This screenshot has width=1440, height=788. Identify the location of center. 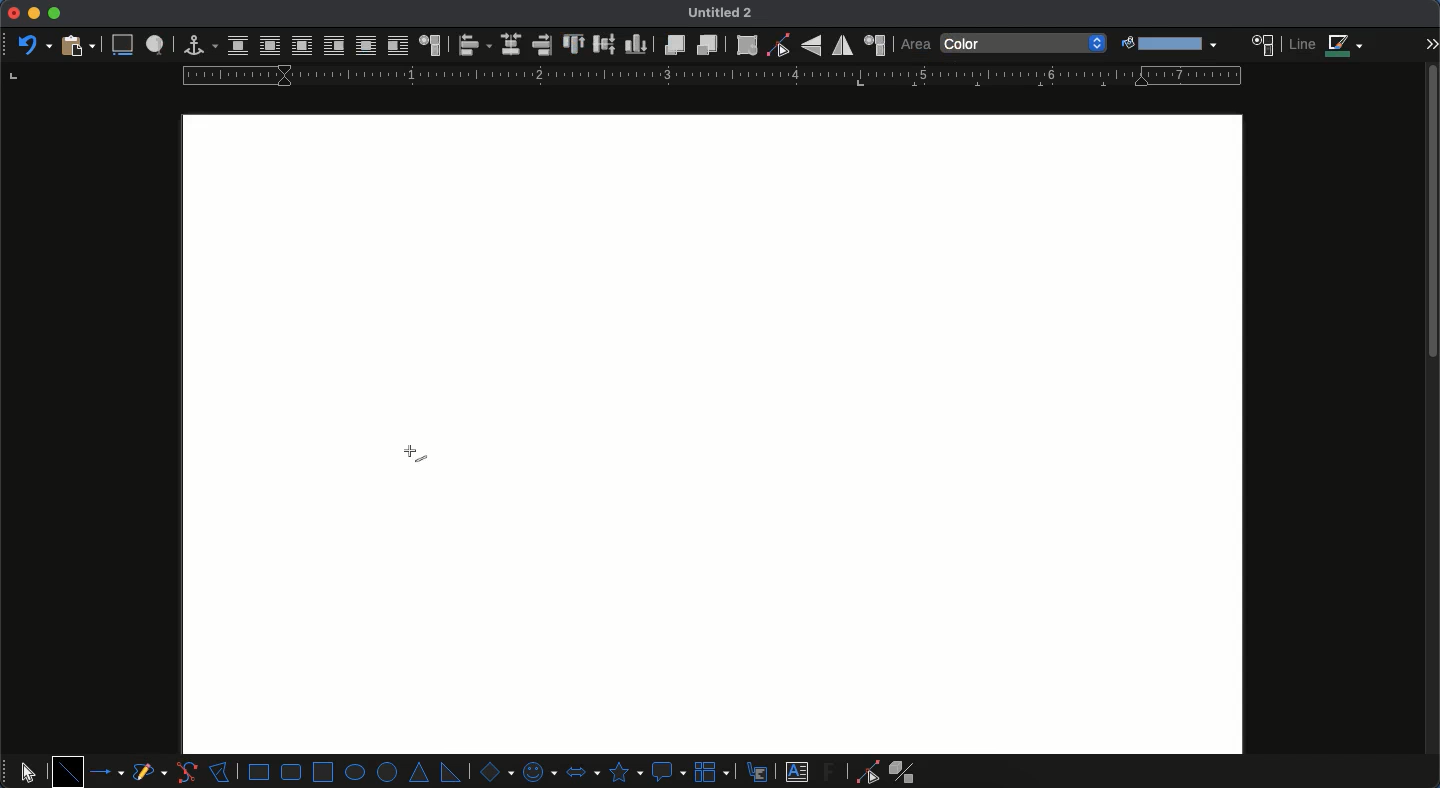
(511, 44).